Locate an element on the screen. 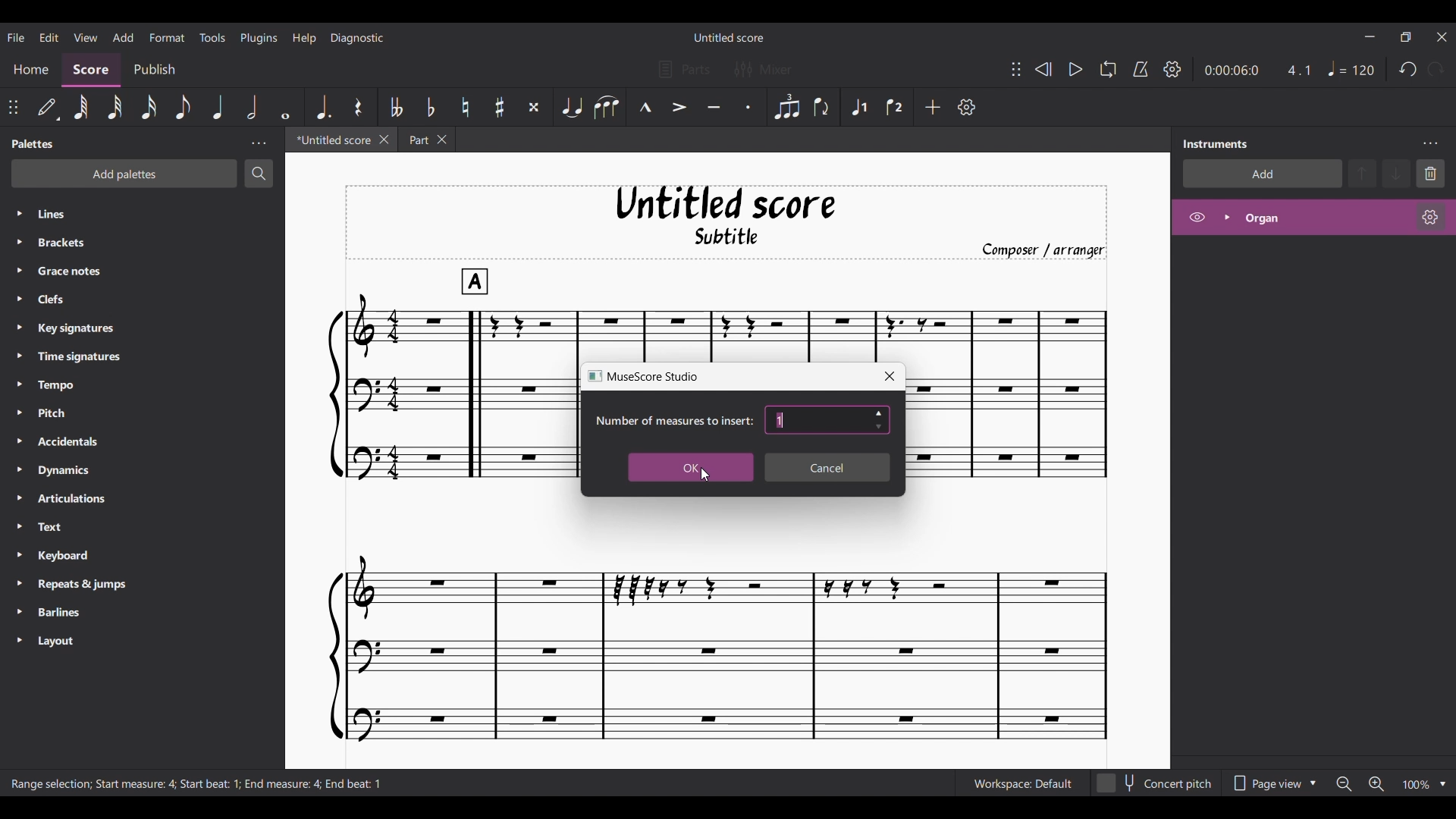 This screenshot has width=1456, height=819. Edit menu is located at coordinates (49, 36).